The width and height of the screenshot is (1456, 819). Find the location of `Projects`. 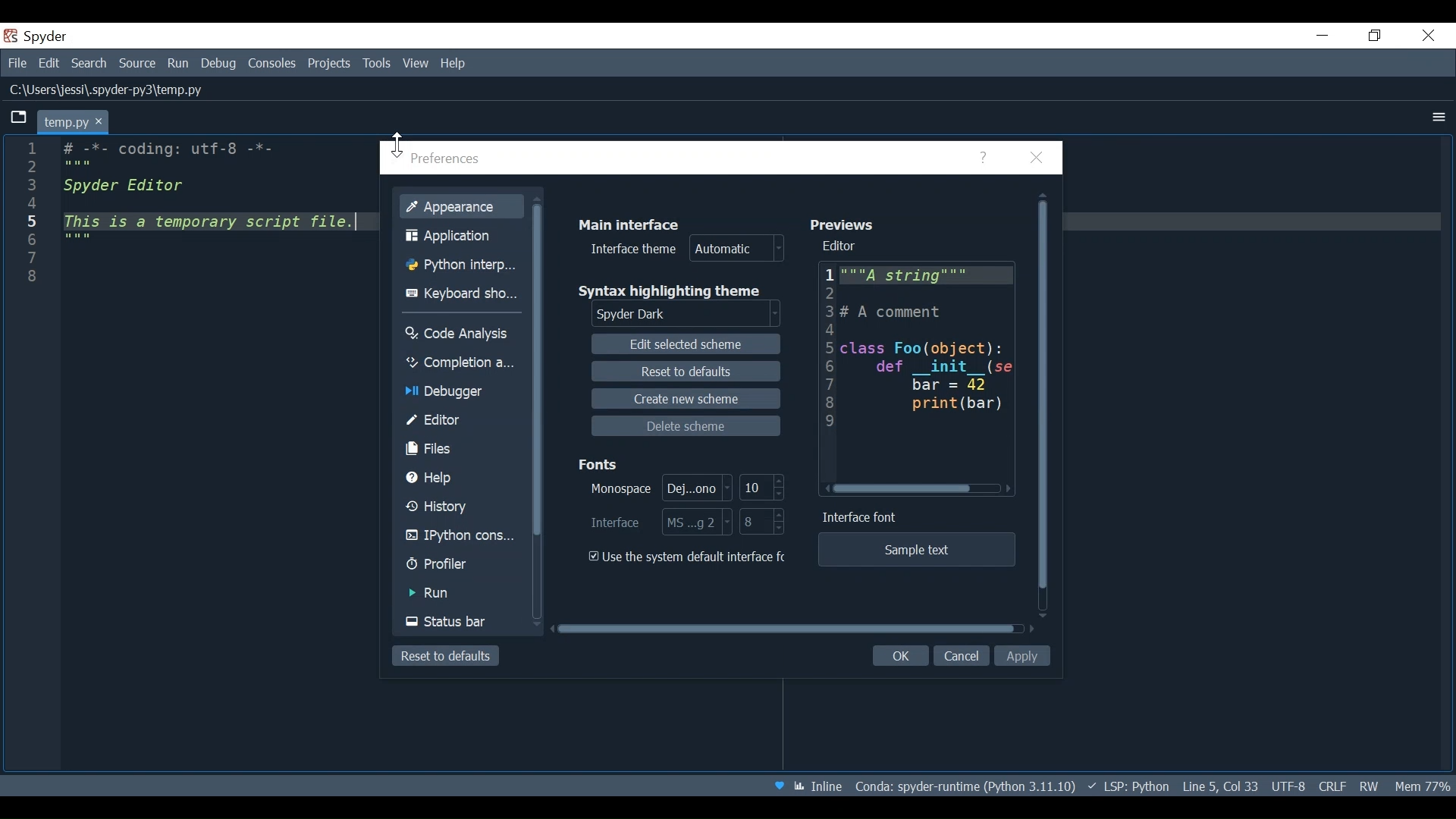

Projects is located at coordinates (328, 64).